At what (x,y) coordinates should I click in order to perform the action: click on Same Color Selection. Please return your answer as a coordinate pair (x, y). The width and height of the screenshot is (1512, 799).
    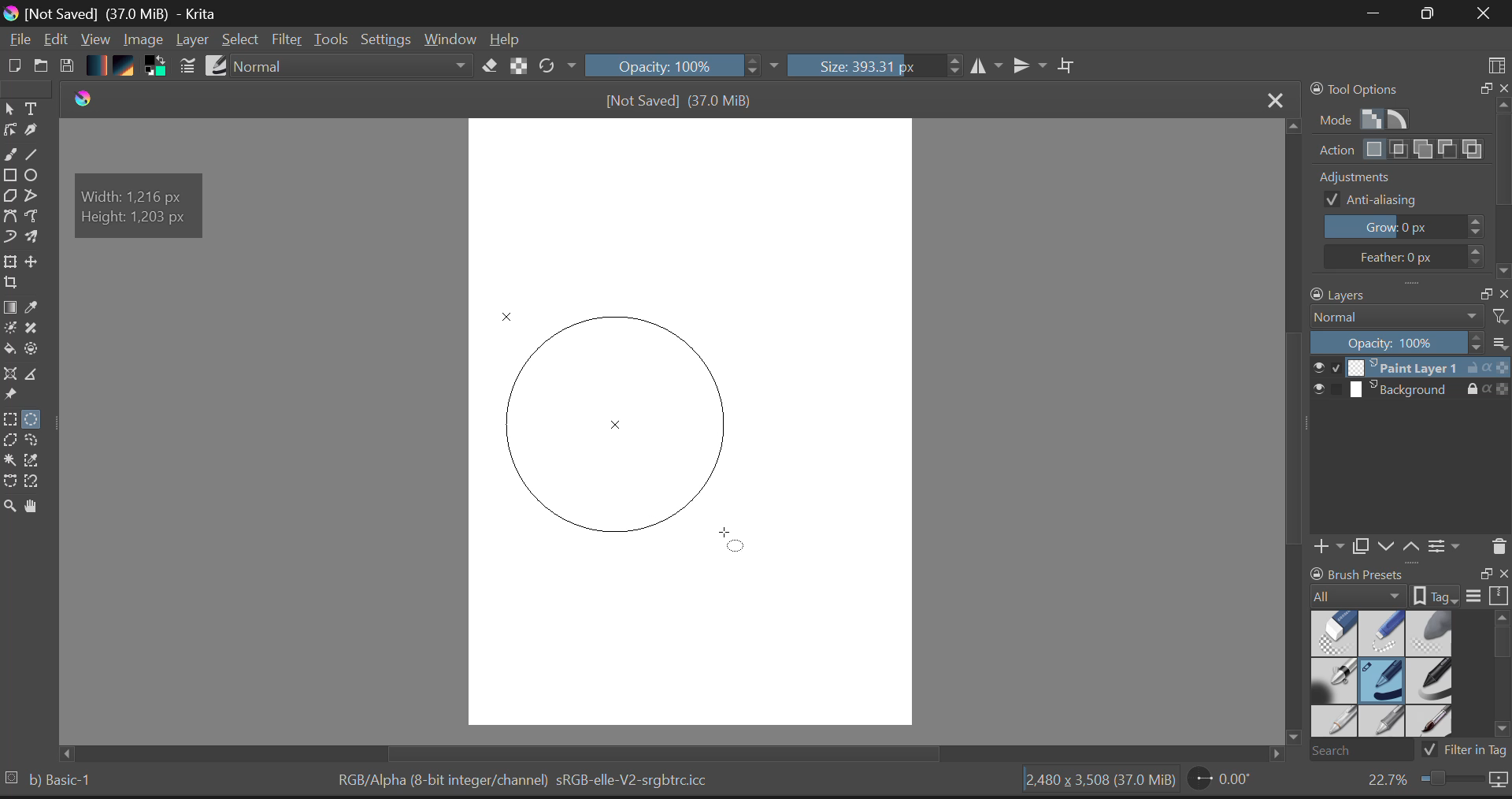
    Looking at the image, I should click on (37, 463).